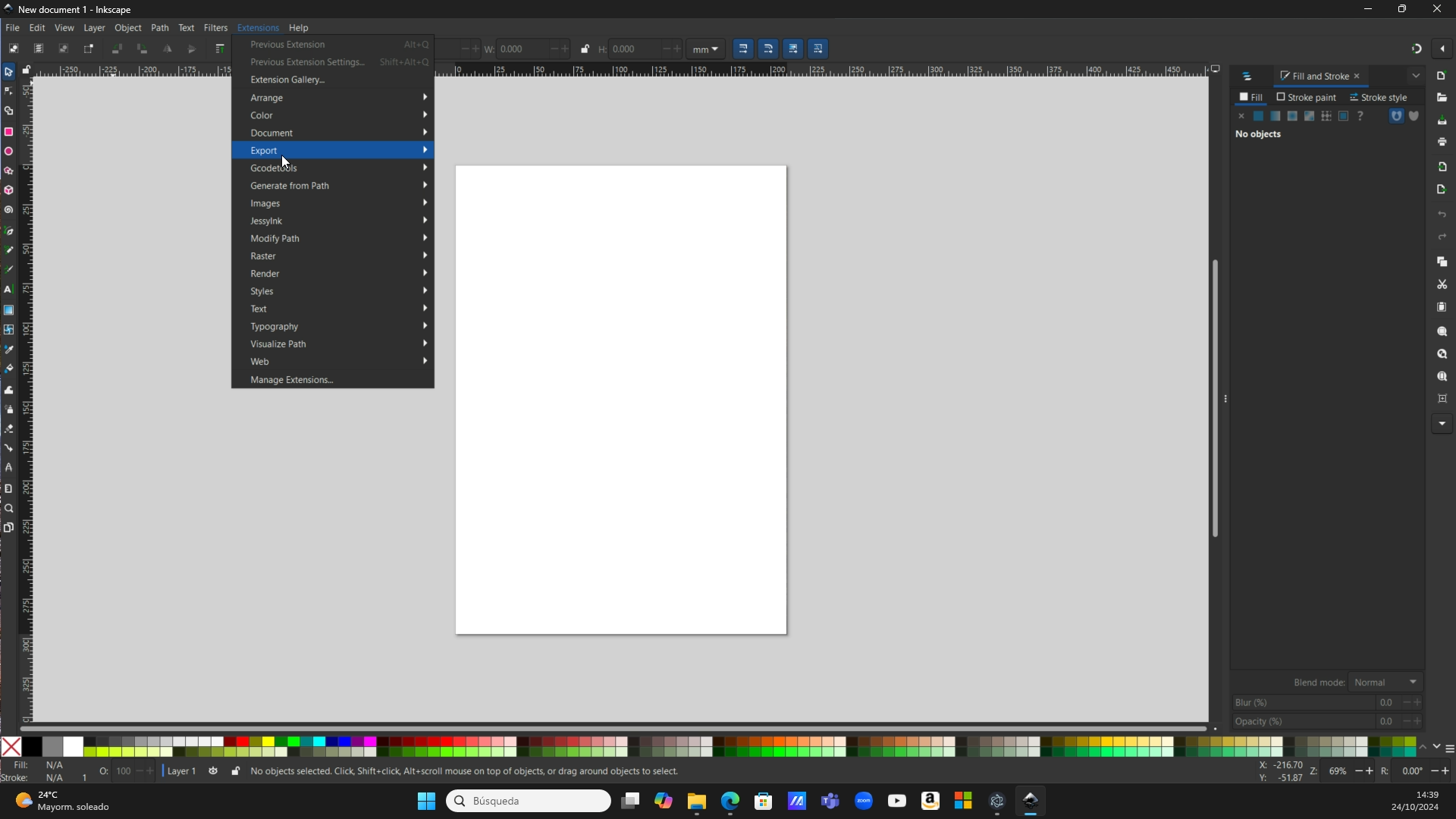  What do you see at coordinates (834, 69) in the screenshot?
I see `horizontal scale` at bounding box center [834, 69].